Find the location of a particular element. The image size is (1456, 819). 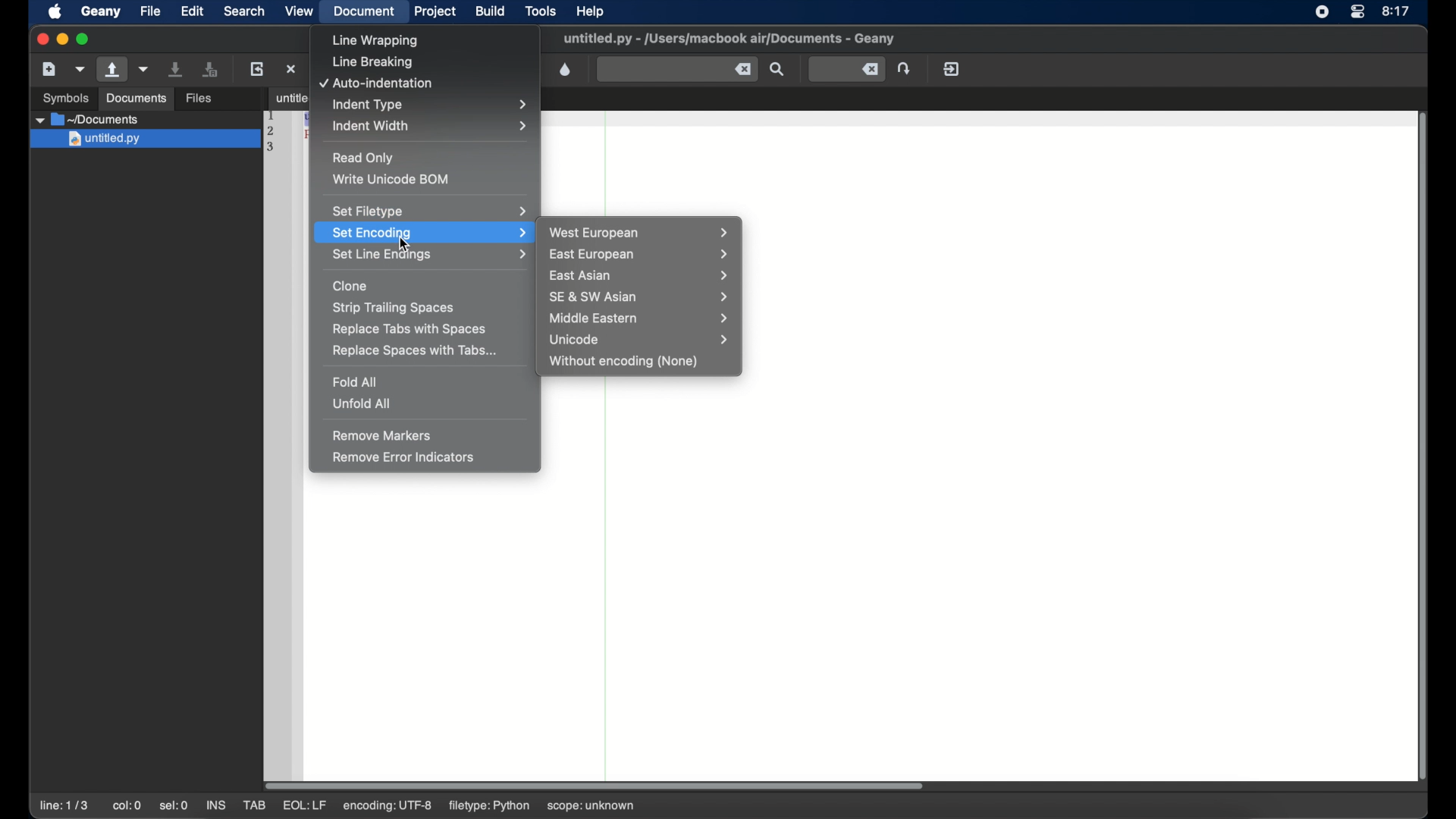

documents is located at coordinates (136, 99).